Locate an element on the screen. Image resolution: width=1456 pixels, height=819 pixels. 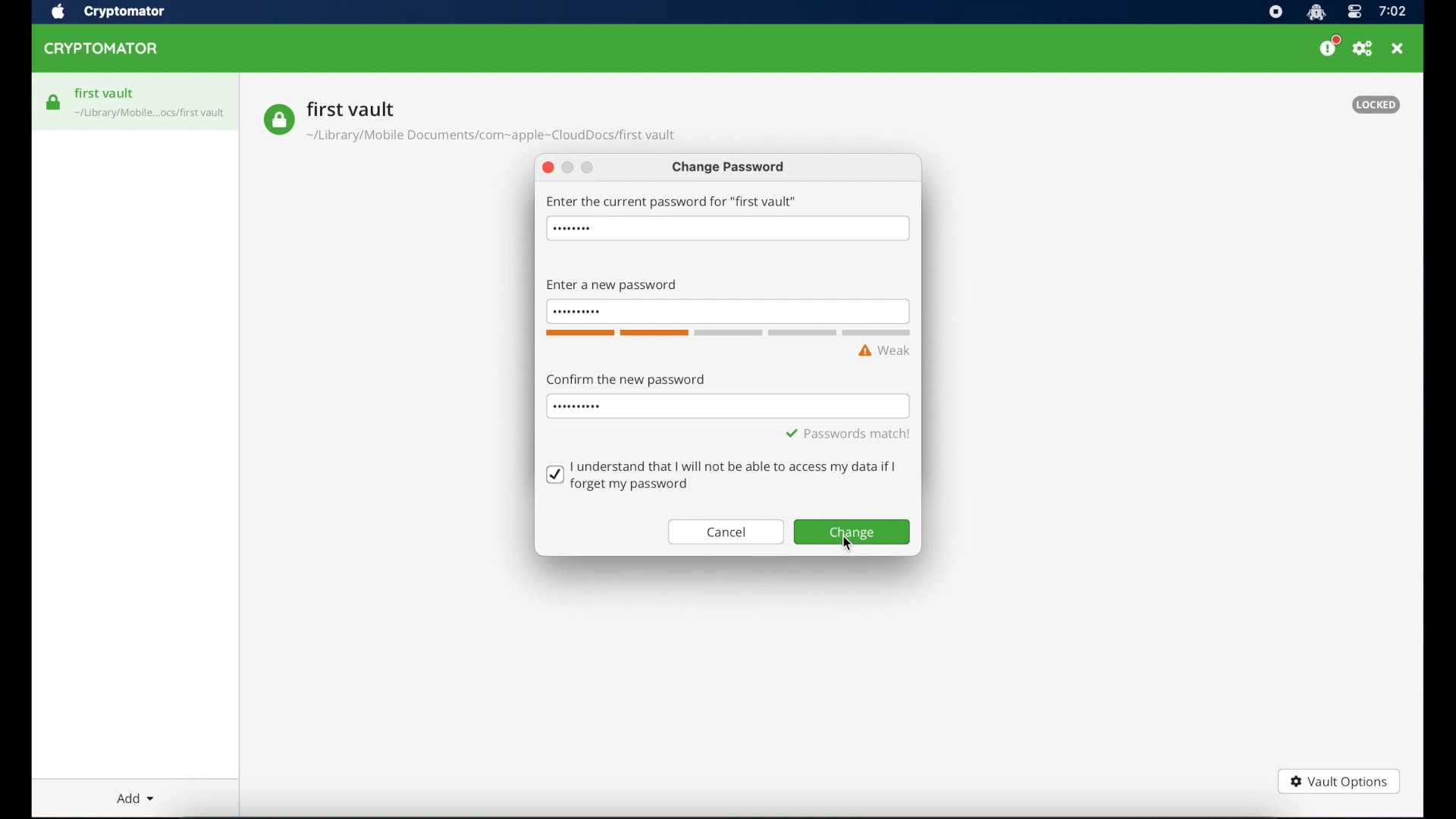
cursor is located at coordinates (849, 544).